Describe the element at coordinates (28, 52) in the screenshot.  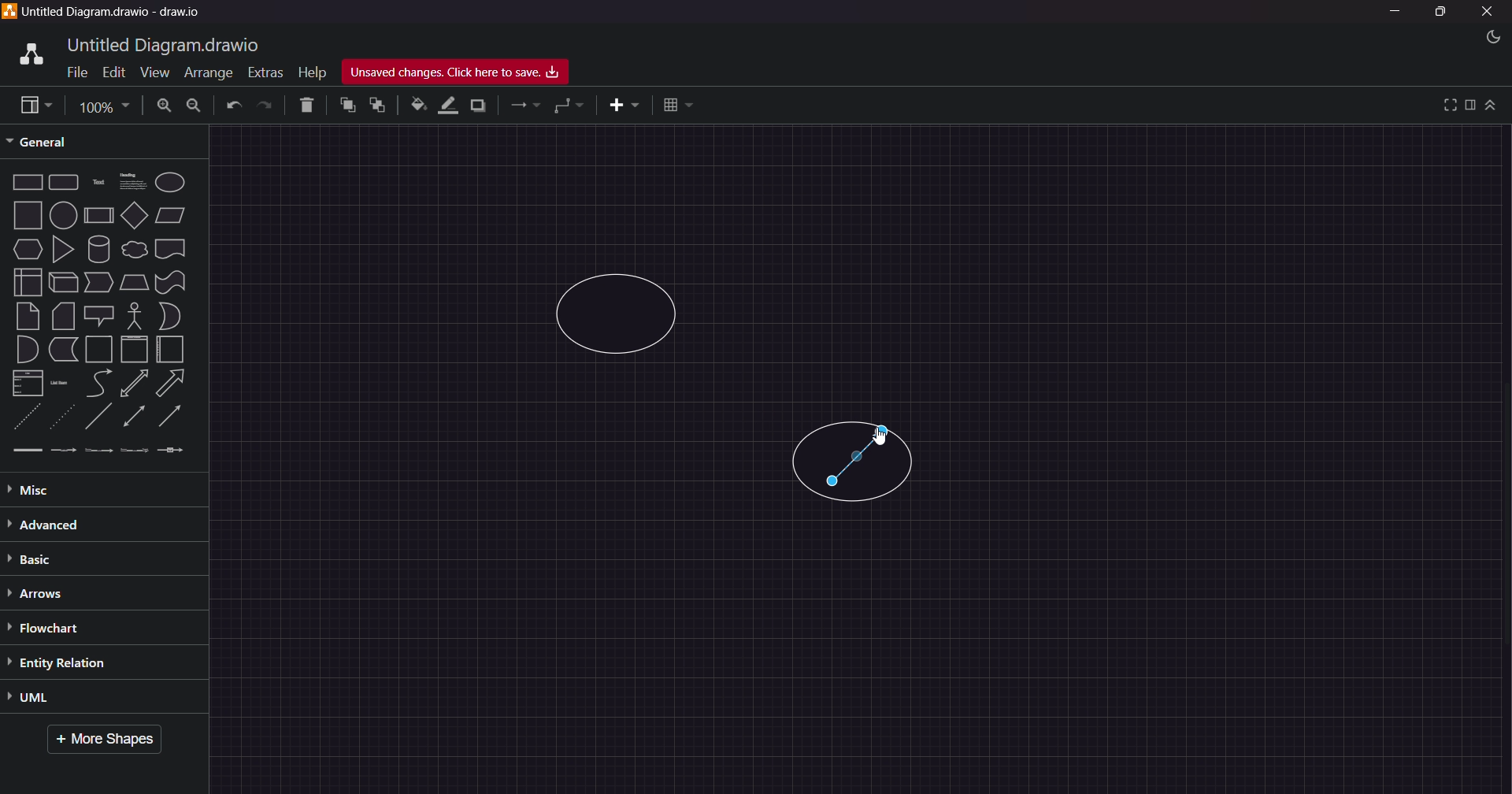
I see `logo` at that location.